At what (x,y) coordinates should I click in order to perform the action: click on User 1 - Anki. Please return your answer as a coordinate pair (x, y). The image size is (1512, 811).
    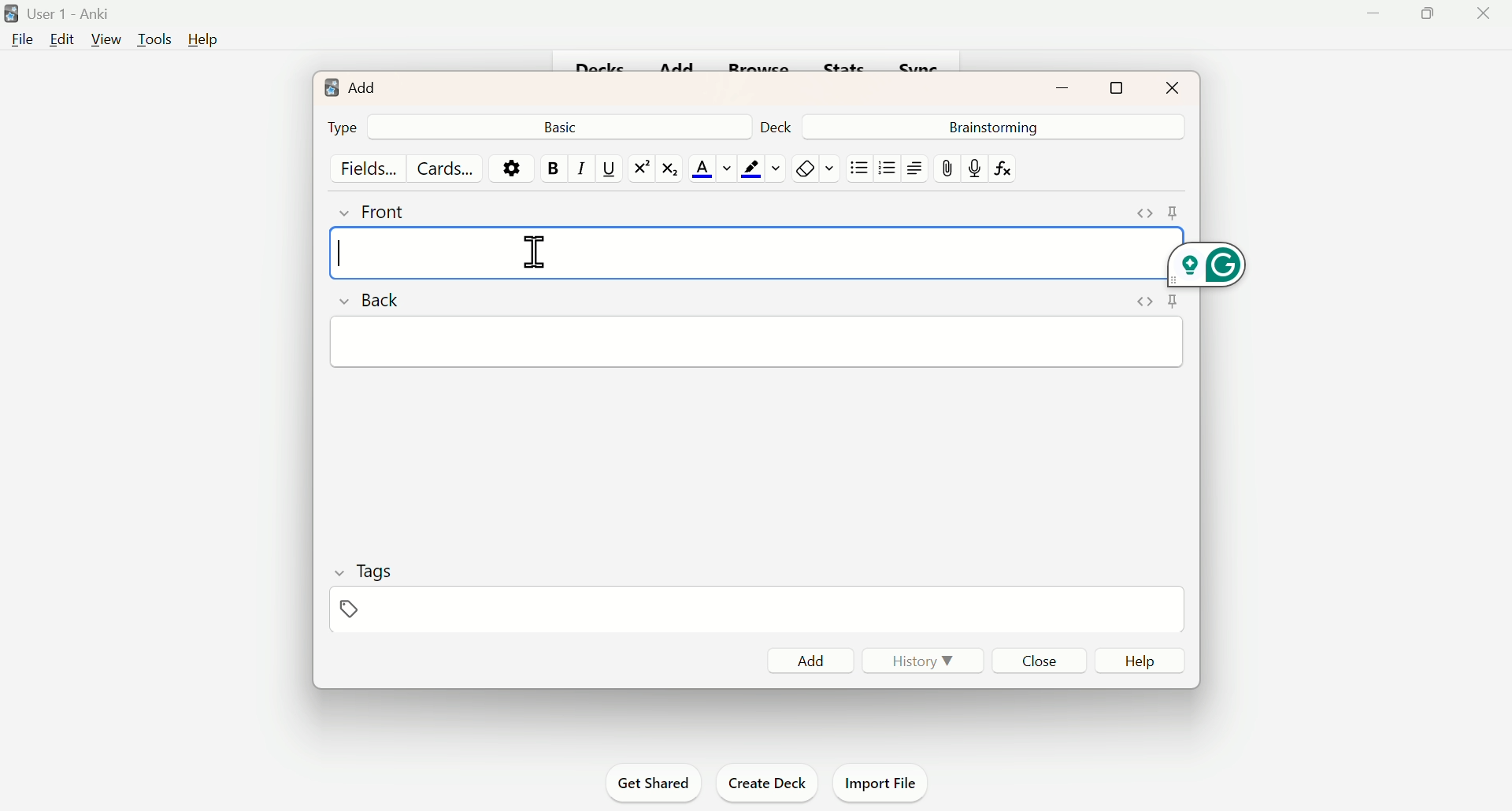
    Looking at the image, I should click on (78, 12).